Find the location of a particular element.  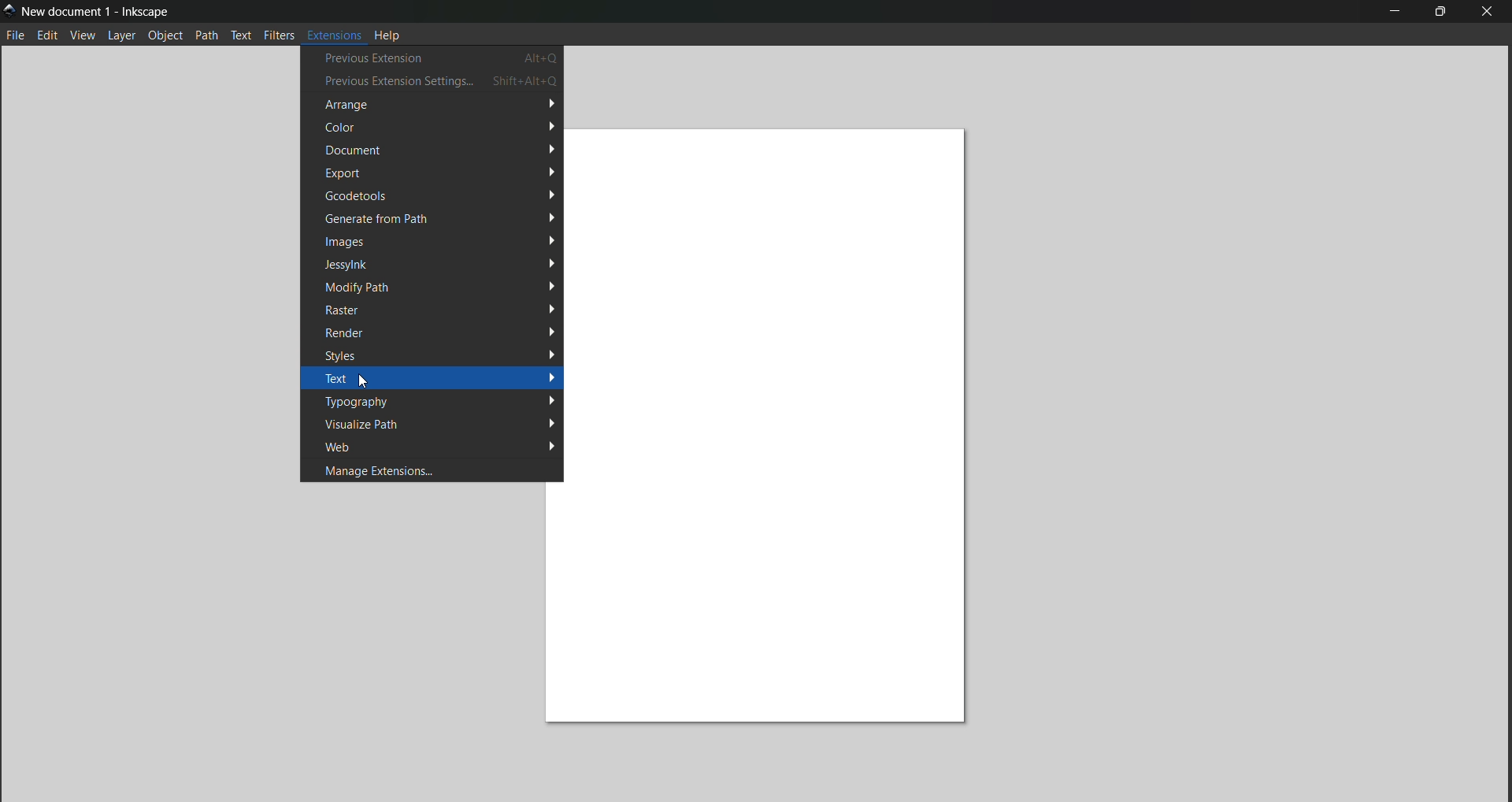

manage extensions is located at coordinates (432, 470).